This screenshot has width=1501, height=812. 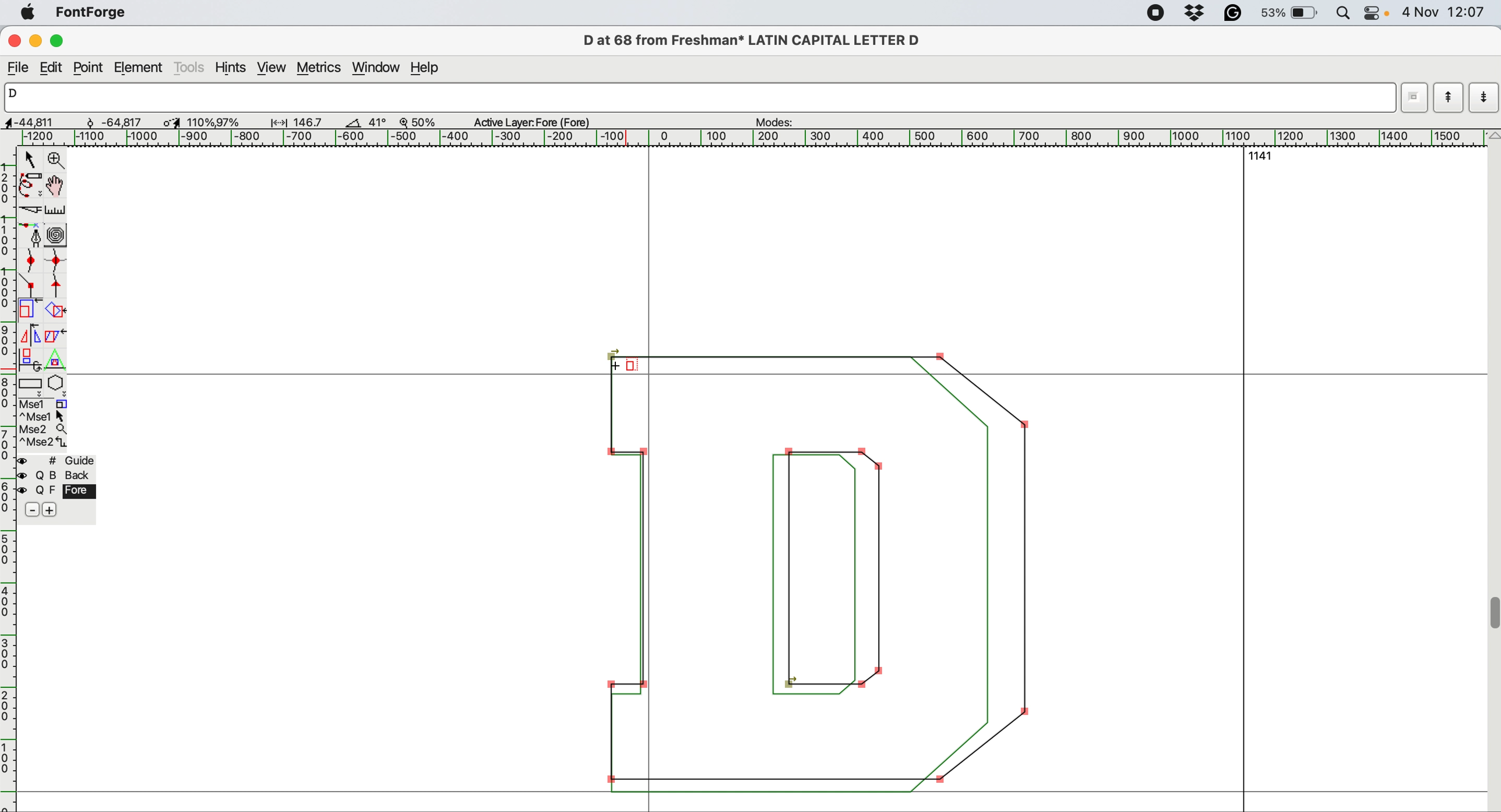 I want to click on draw by hand, so click(x=56, y=187).